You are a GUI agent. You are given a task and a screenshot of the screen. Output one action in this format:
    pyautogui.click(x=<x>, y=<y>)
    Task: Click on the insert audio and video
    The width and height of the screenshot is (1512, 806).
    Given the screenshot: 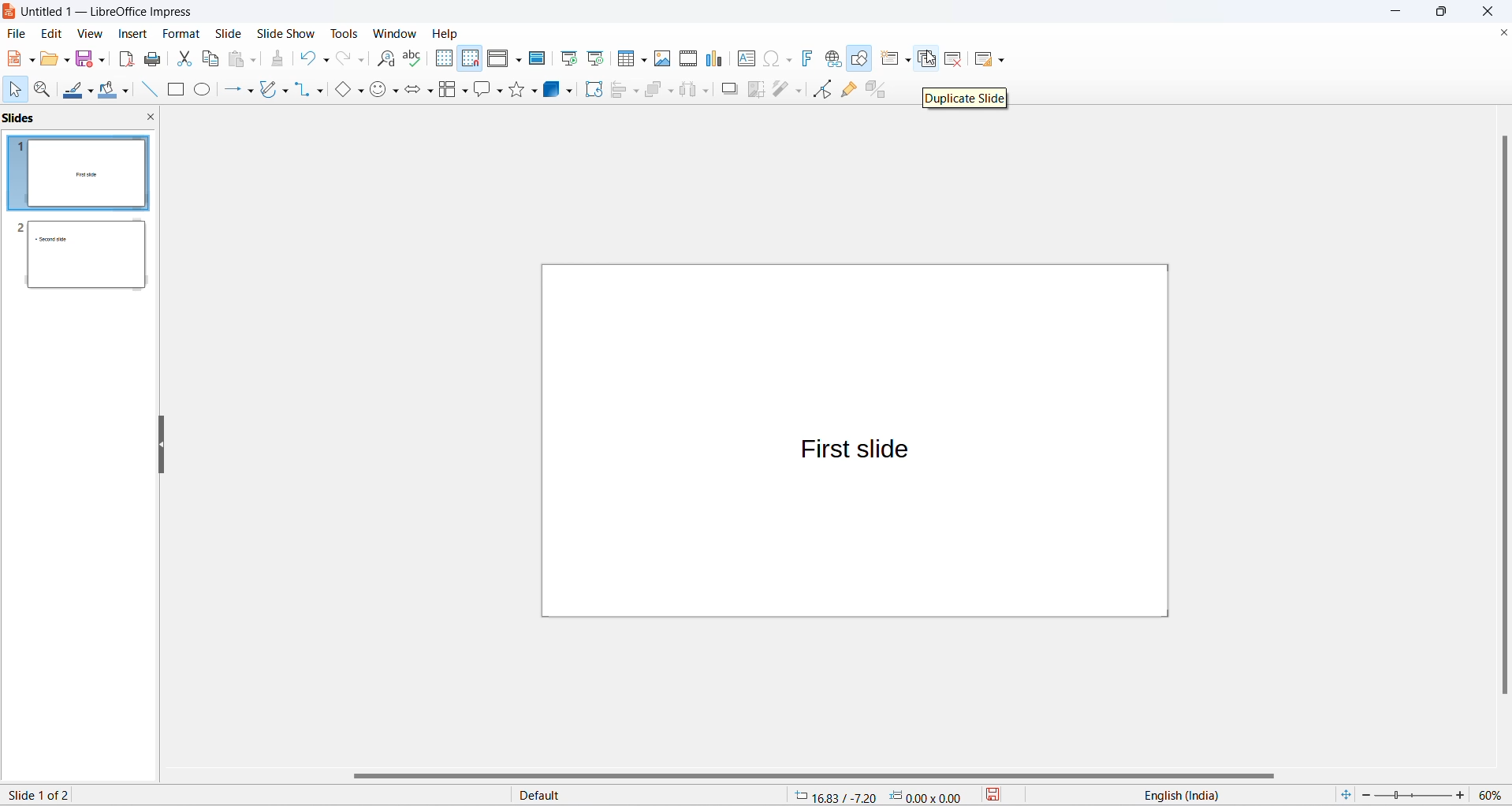 What is the action you would take?
    pyautogui.click(x=687, y=58)
    